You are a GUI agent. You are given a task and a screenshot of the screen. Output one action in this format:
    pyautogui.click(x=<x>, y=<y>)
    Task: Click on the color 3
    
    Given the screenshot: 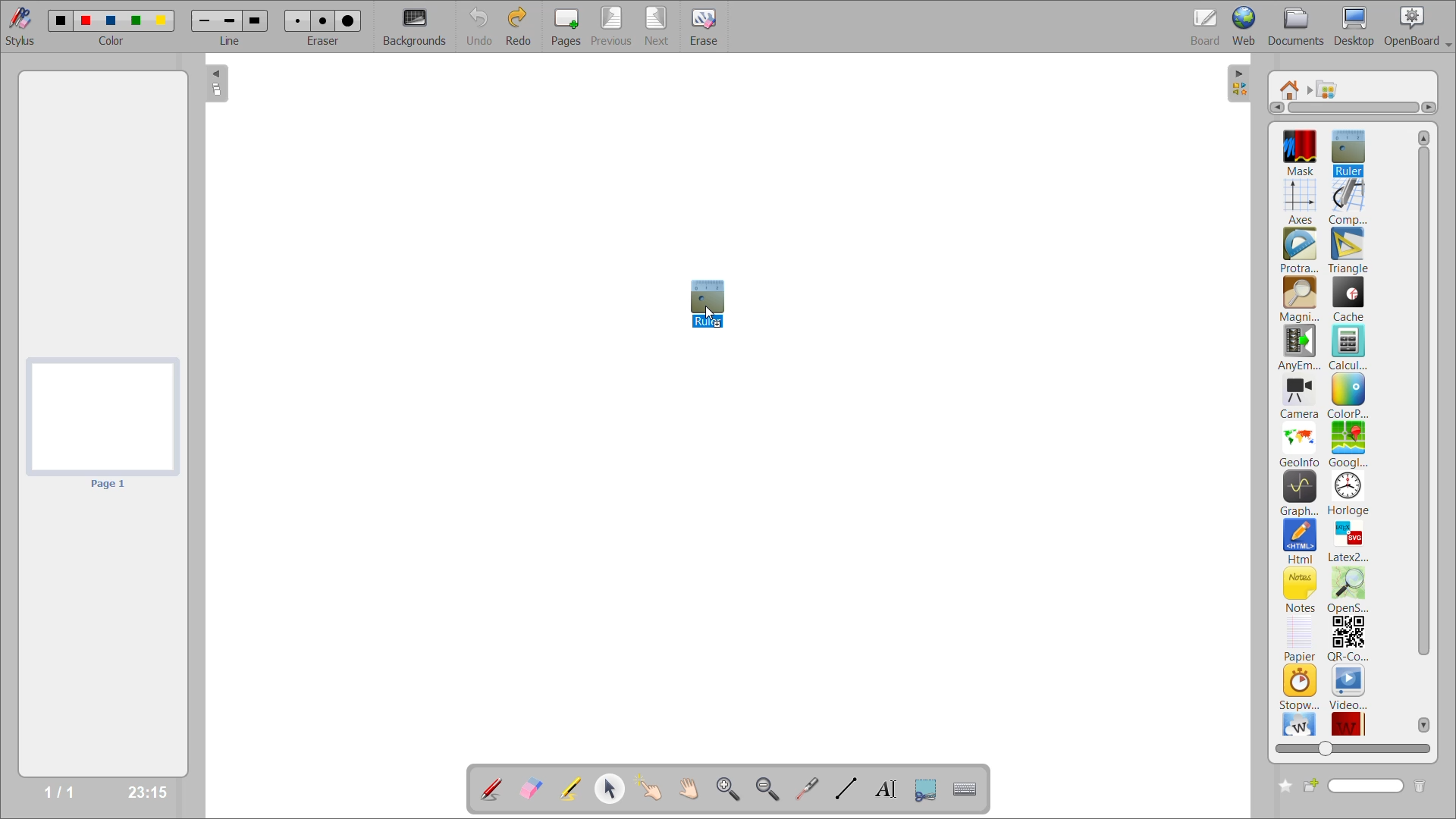 What is the action you would take?
    pyautogui.click(x=110, y=20)
    